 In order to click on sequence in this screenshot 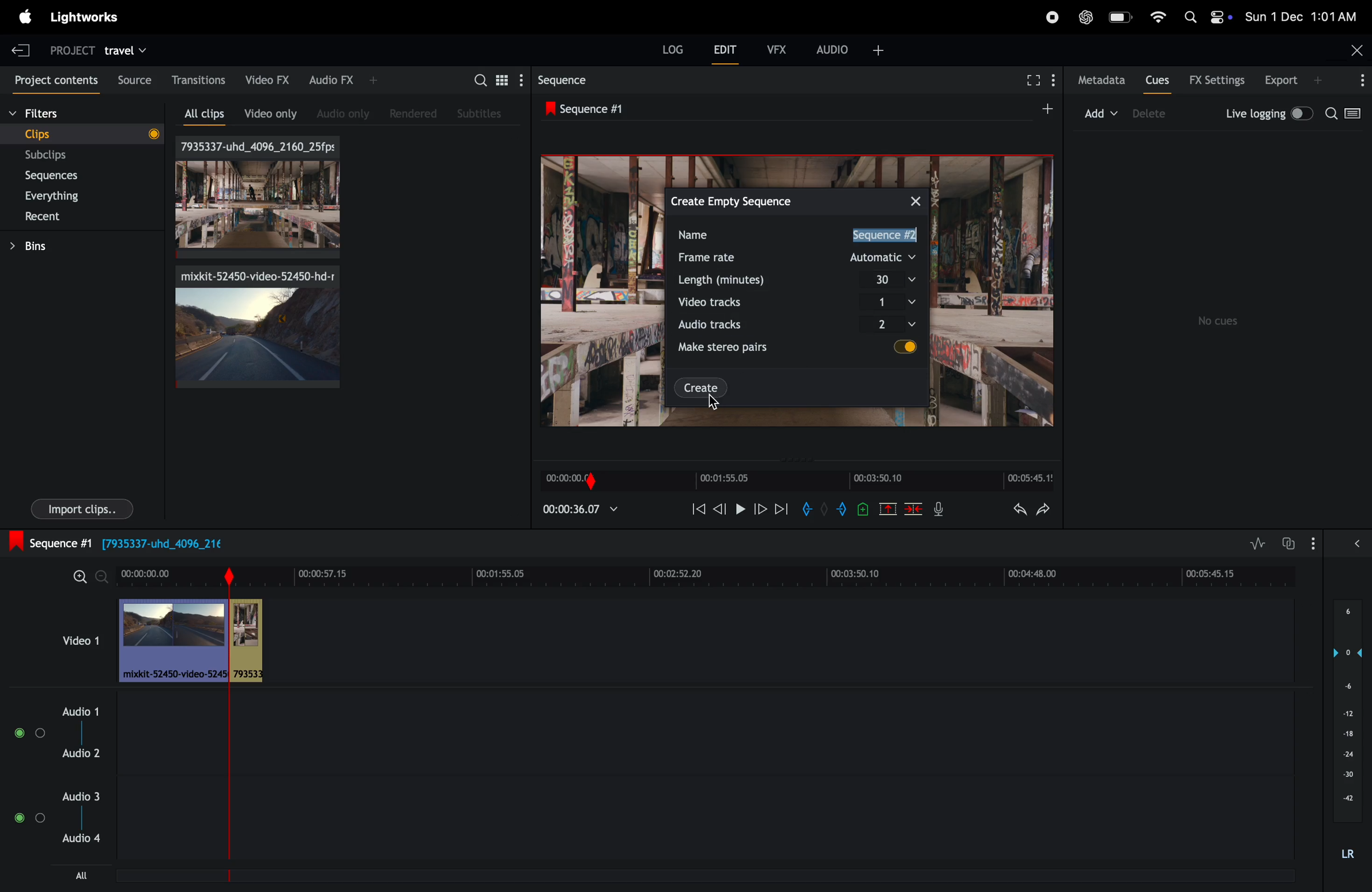, I will do `click(573, 80)`.